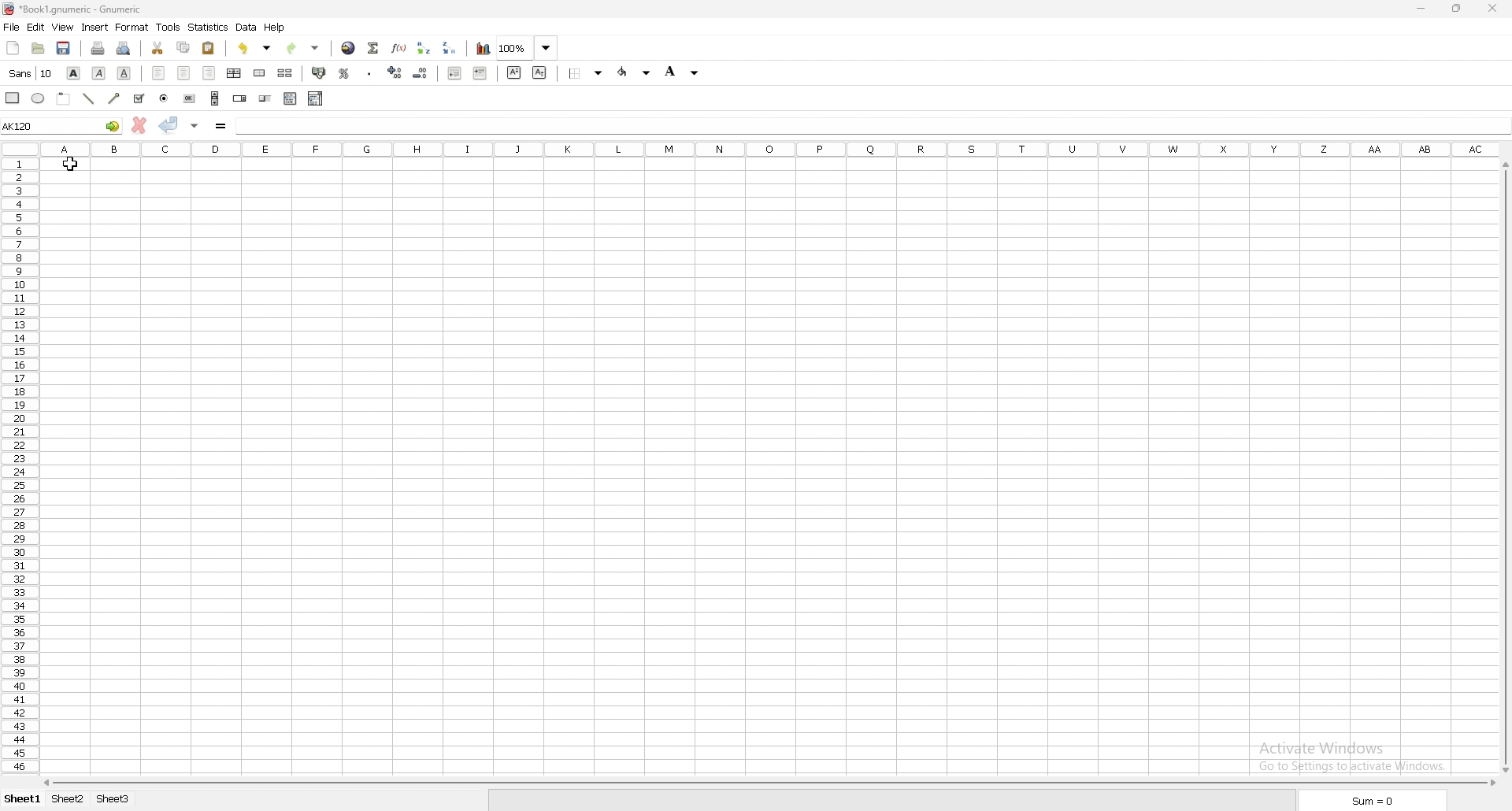  What do you see at coordinates (184, 74) in the screenshot?
I see `centre` at bounding box center [184, 74].